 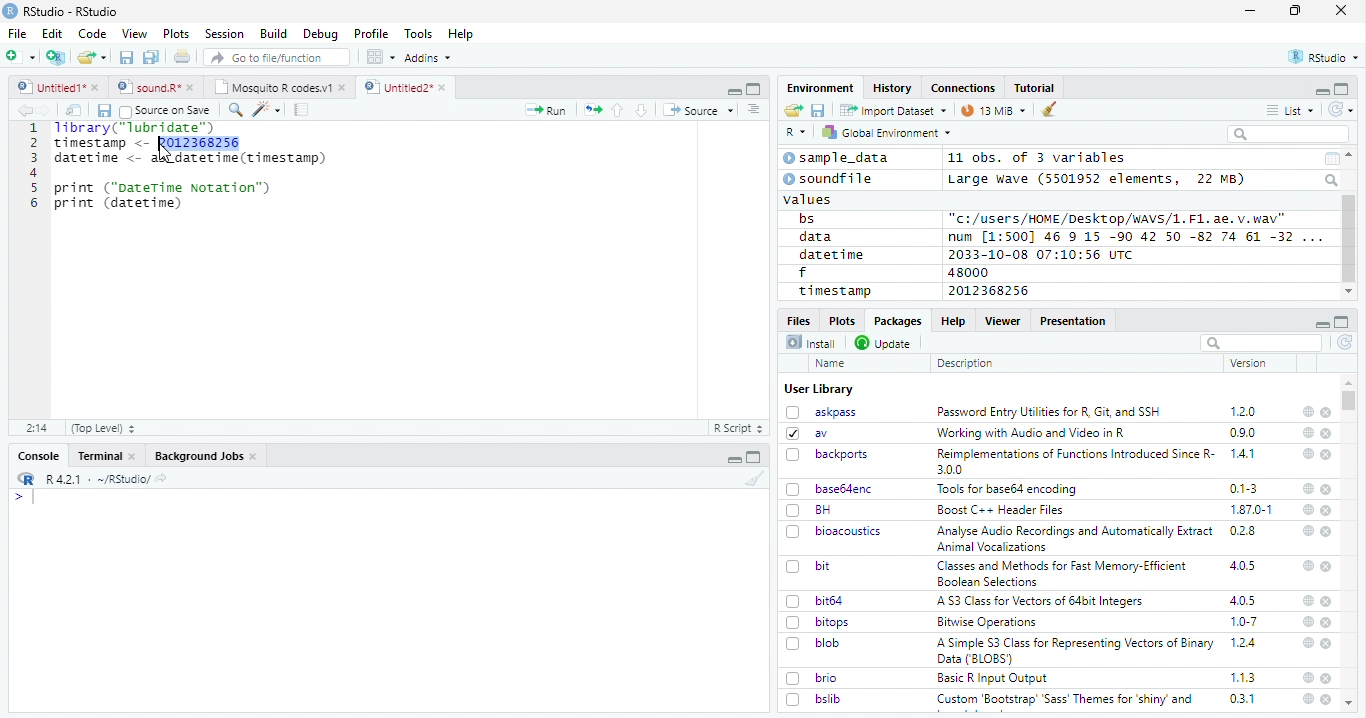 I want to click on ‘Working with Audio and Video inR, so click(x=1033, y=433).